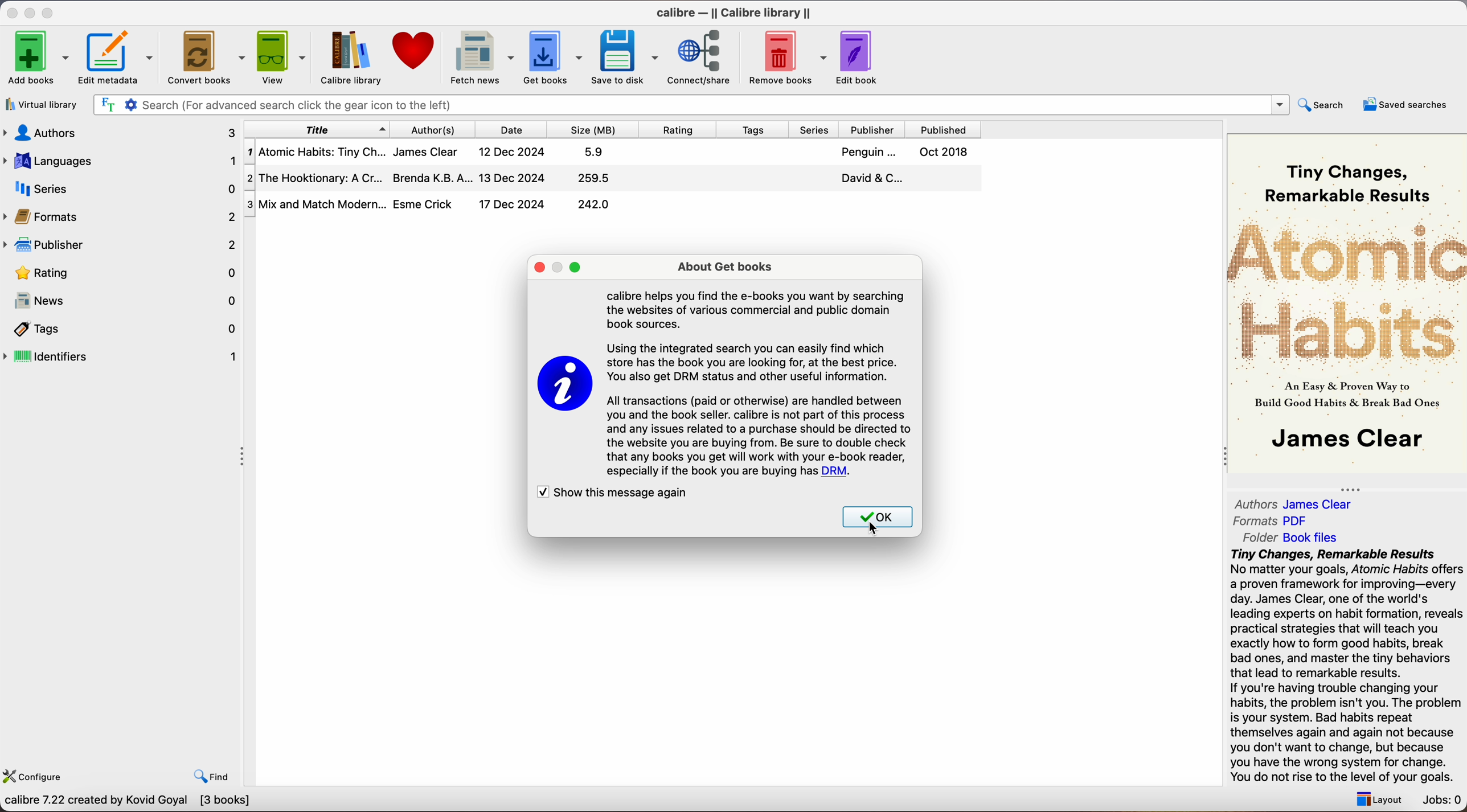 This screenshot has height=812, width=1467. I want to click on ok, so click(878, 519).